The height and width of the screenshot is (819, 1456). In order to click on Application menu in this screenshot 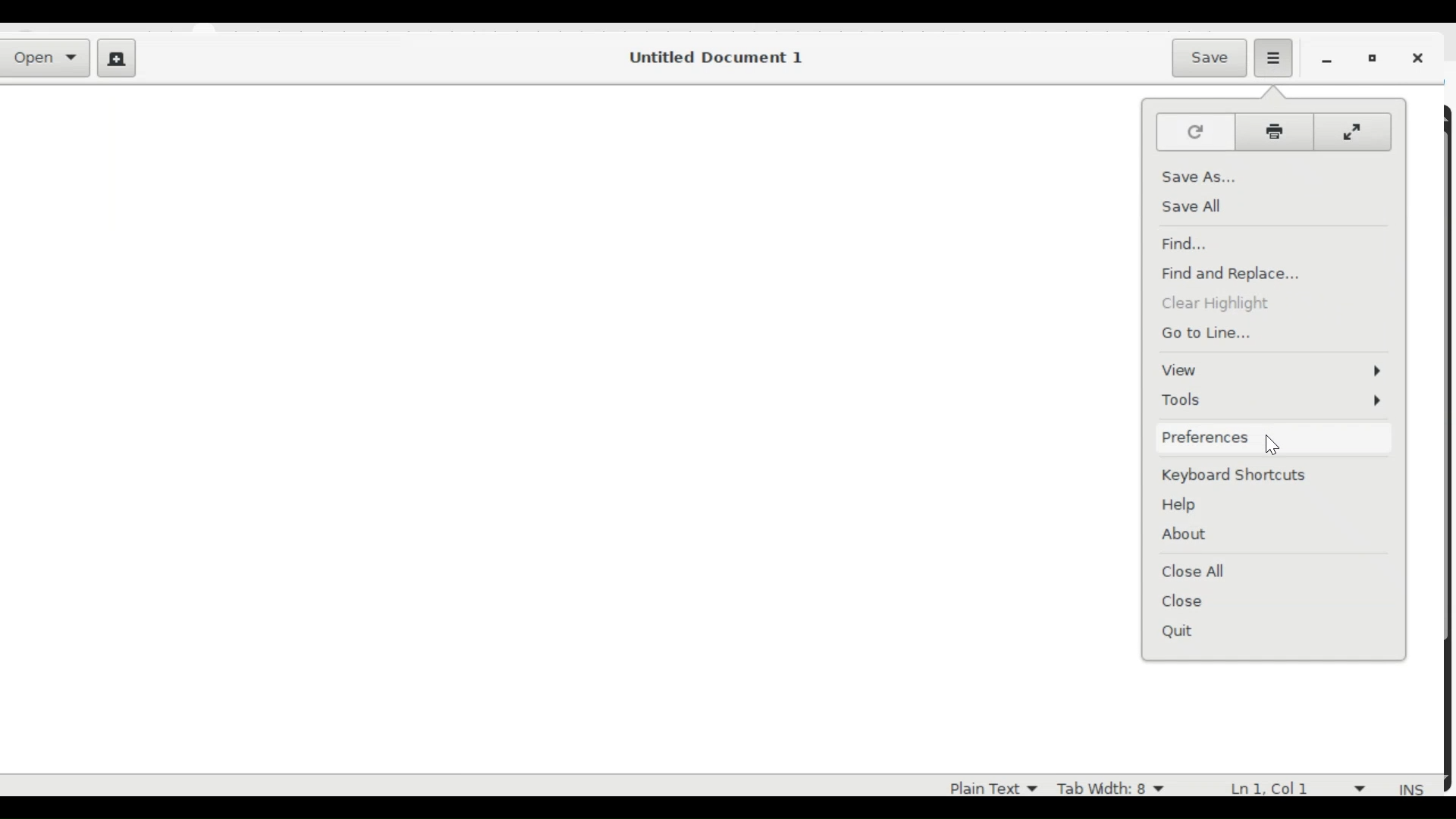, I will do `click(1272, 57)`.